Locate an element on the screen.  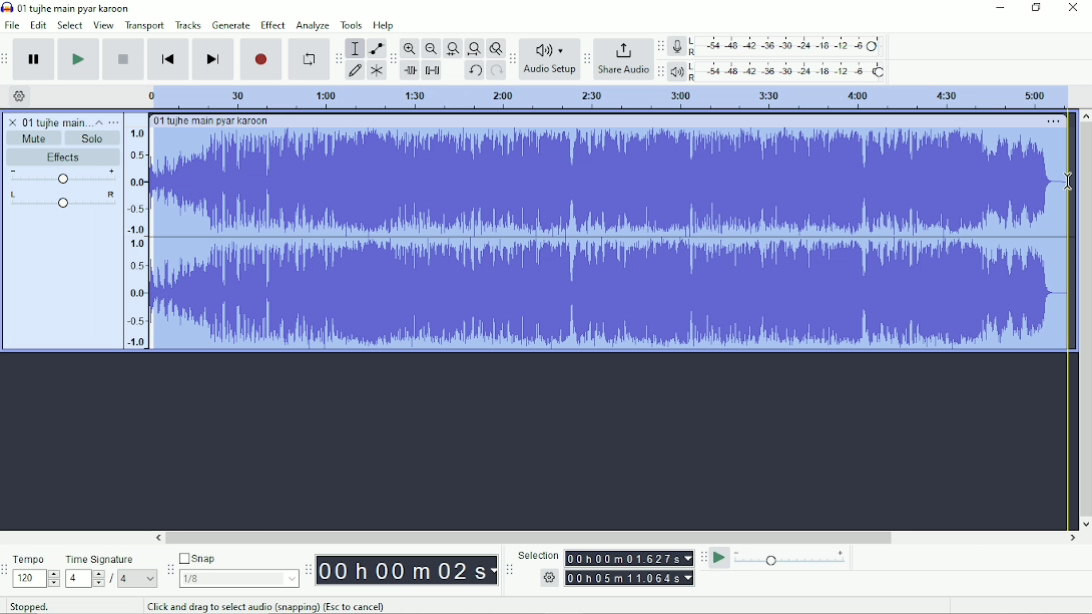
Audacity edit toolbar is located at coordinates (392, 59).